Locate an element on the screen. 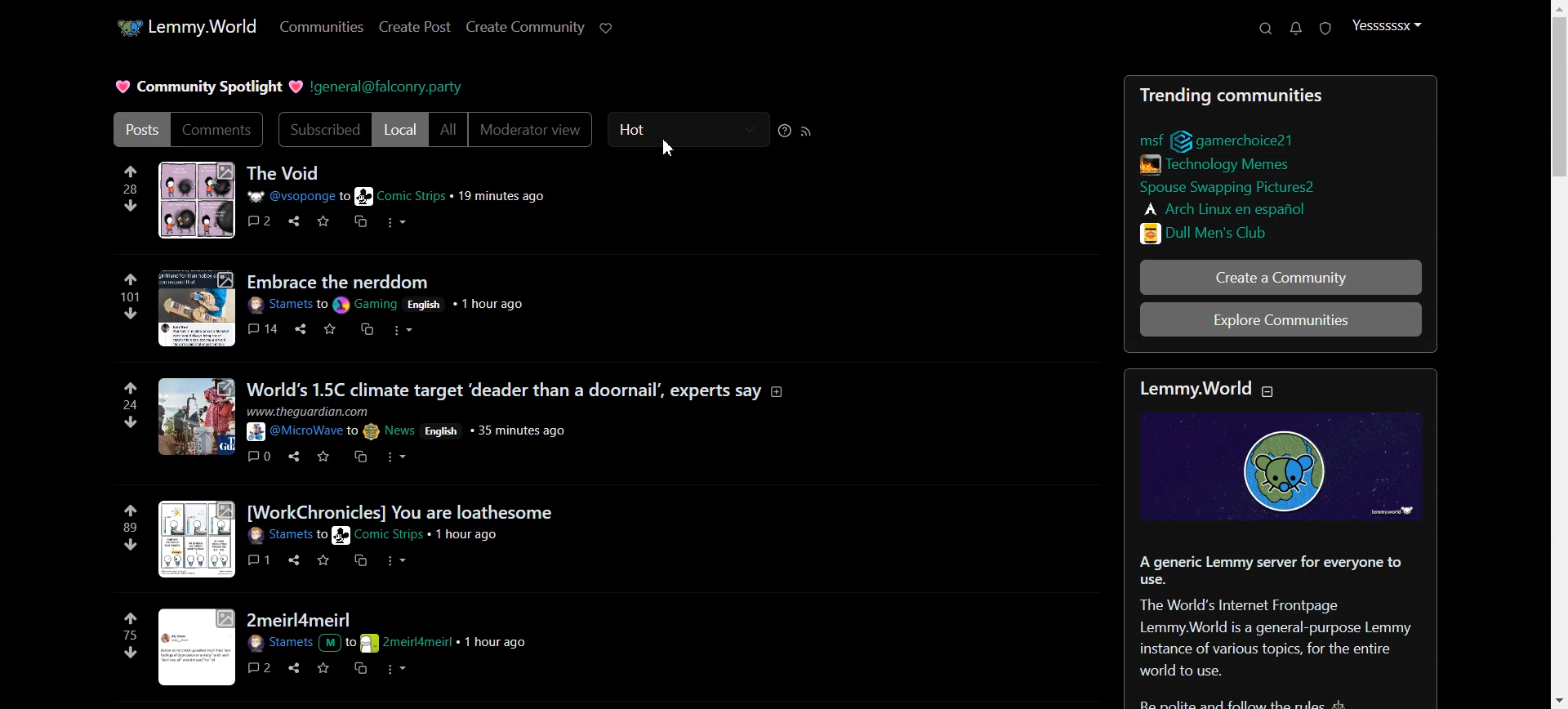 The height and width of the screenshot is (709, 1568). All is located at coordinates (448, 131).